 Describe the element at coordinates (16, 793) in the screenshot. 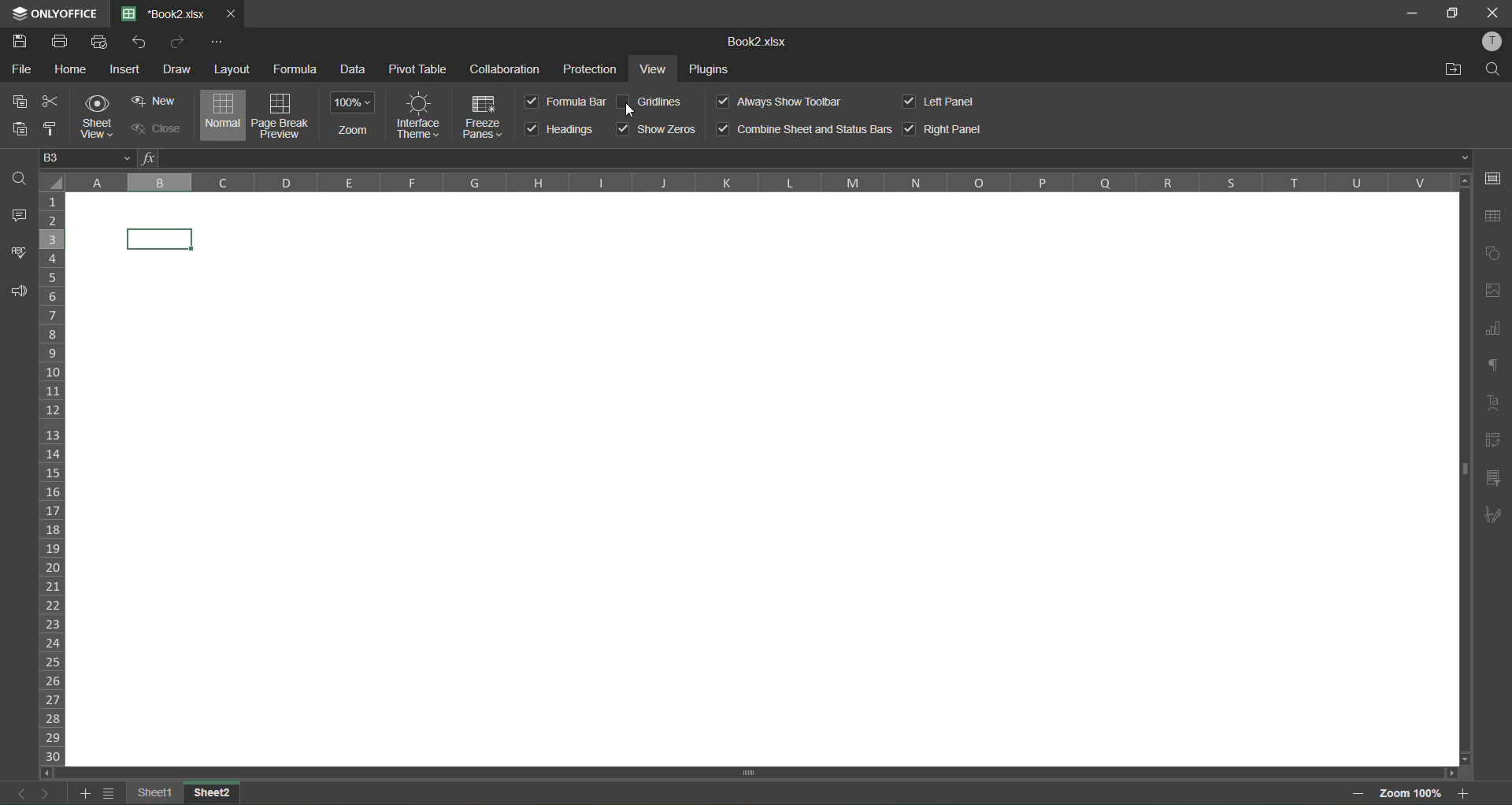

I see `previous` at that location.